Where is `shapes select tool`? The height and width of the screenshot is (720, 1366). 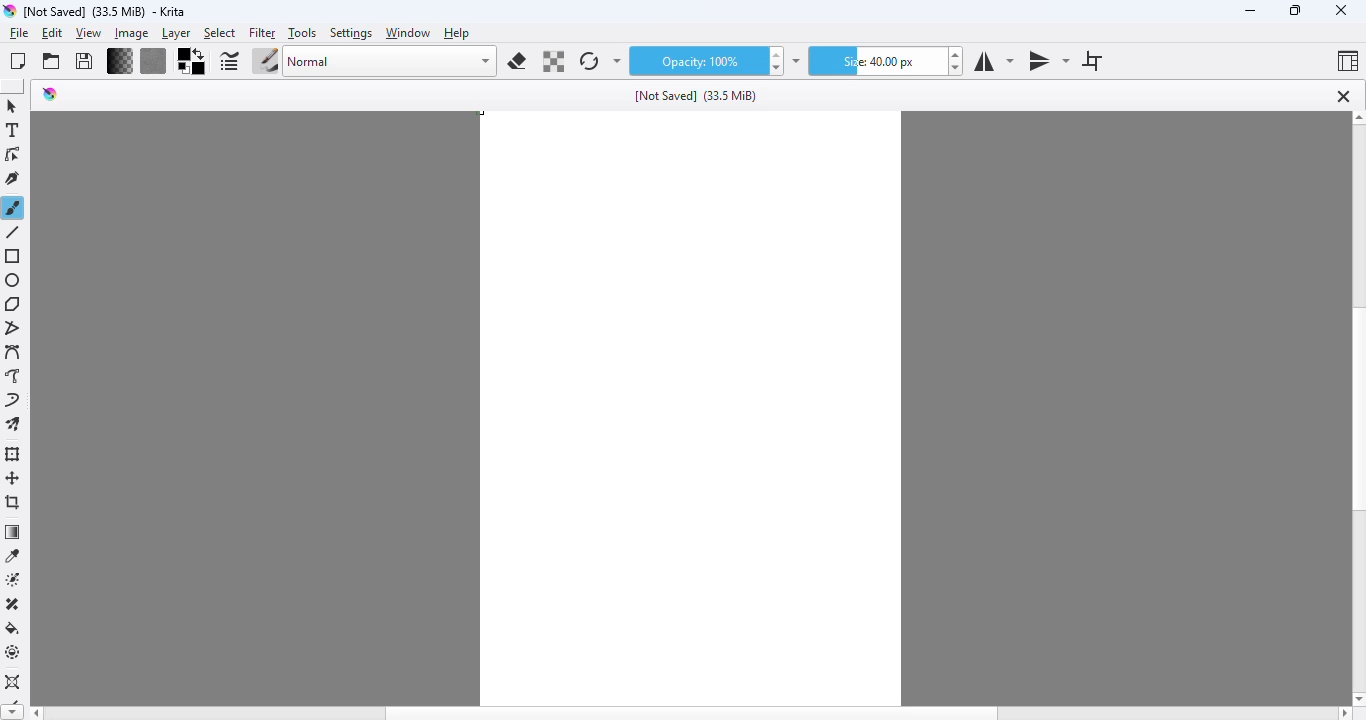
shapes select tool is located at coordinates (13, 106).